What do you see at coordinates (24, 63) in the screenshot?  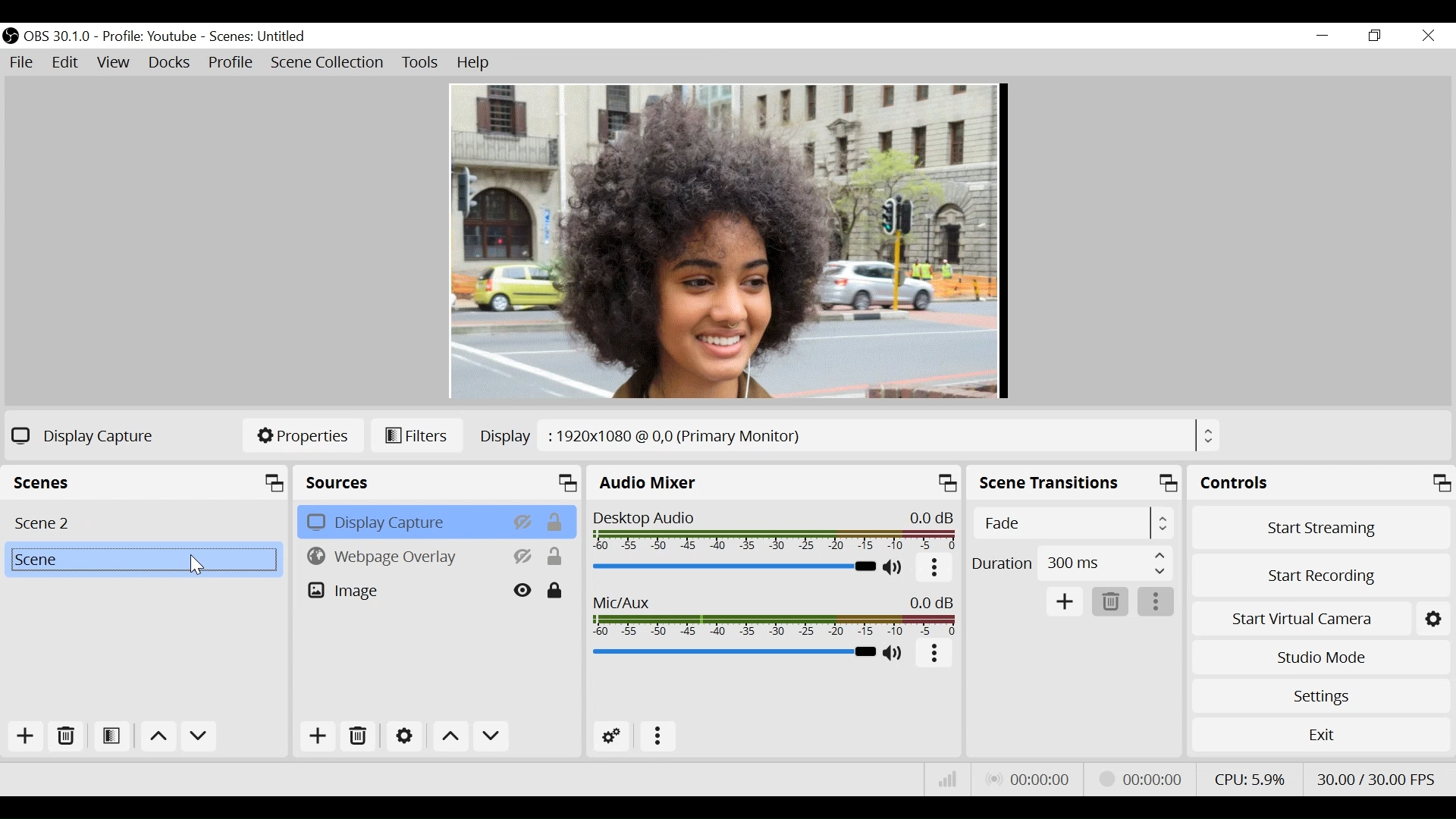 I see `File` at bounding box center [24, 63].